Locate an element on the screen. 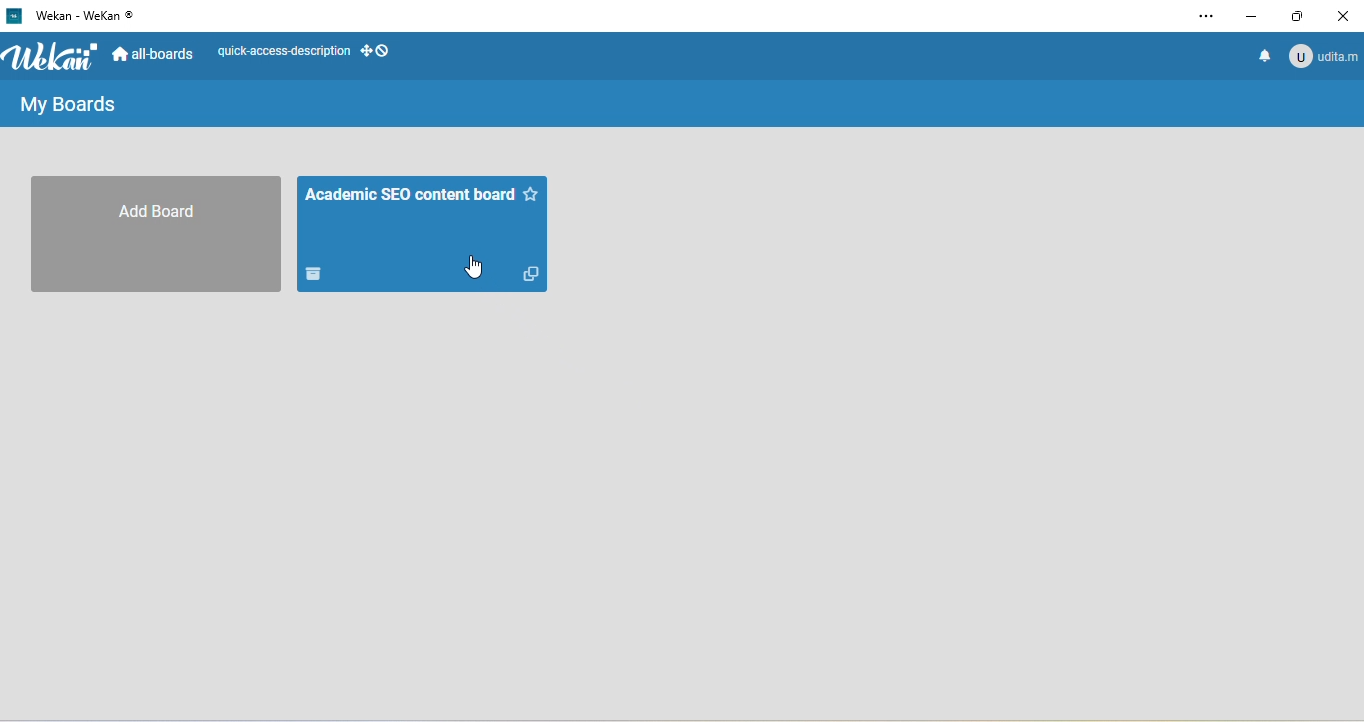 This screenshot has height=722, width=1364. close is located at coordinates (1346, 15).